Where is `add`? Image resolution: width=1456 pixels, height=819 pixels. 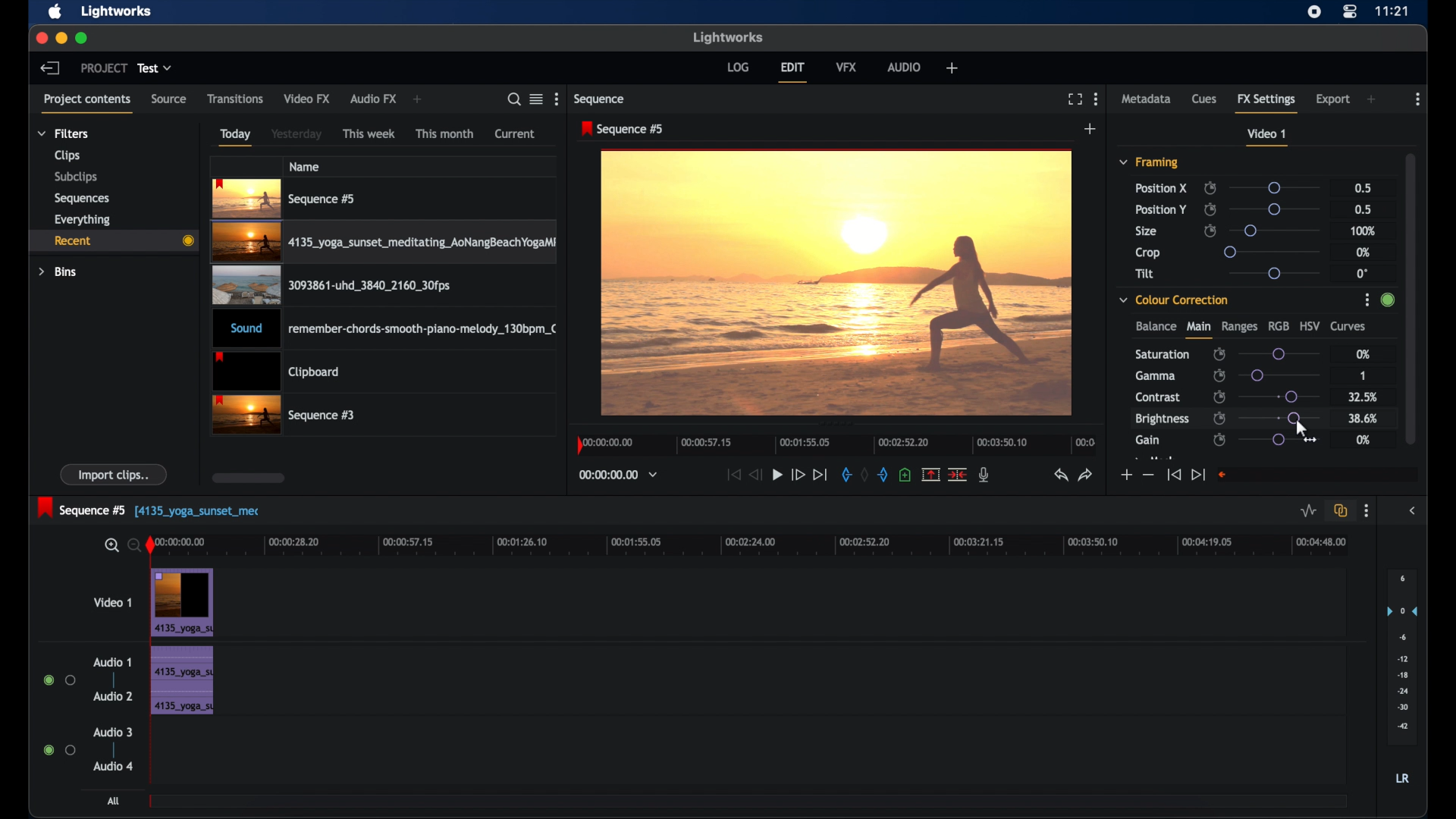
add is located at coordinates (1090, 129).